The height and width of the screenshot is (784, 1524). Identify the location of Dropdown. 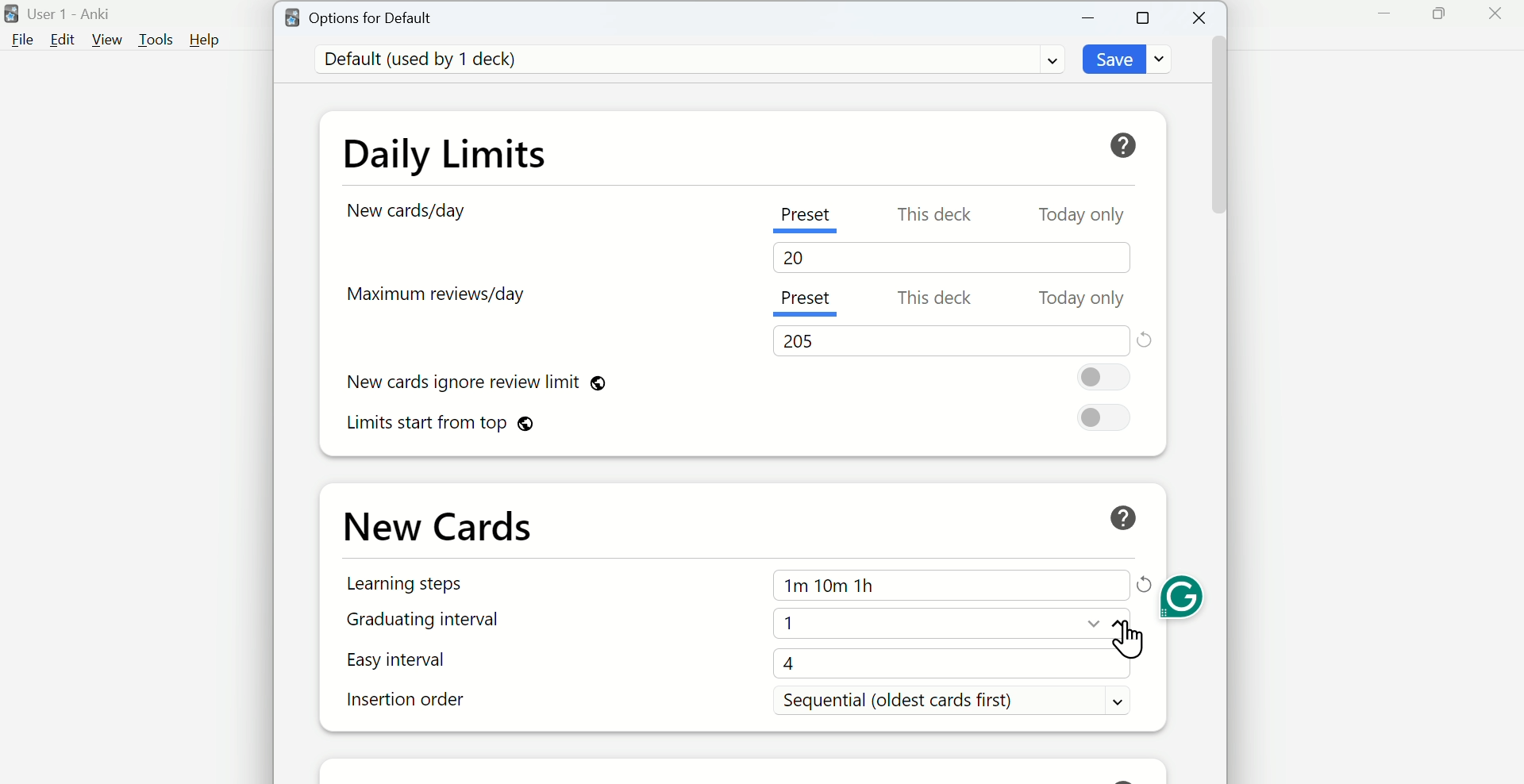
(1043, 62).